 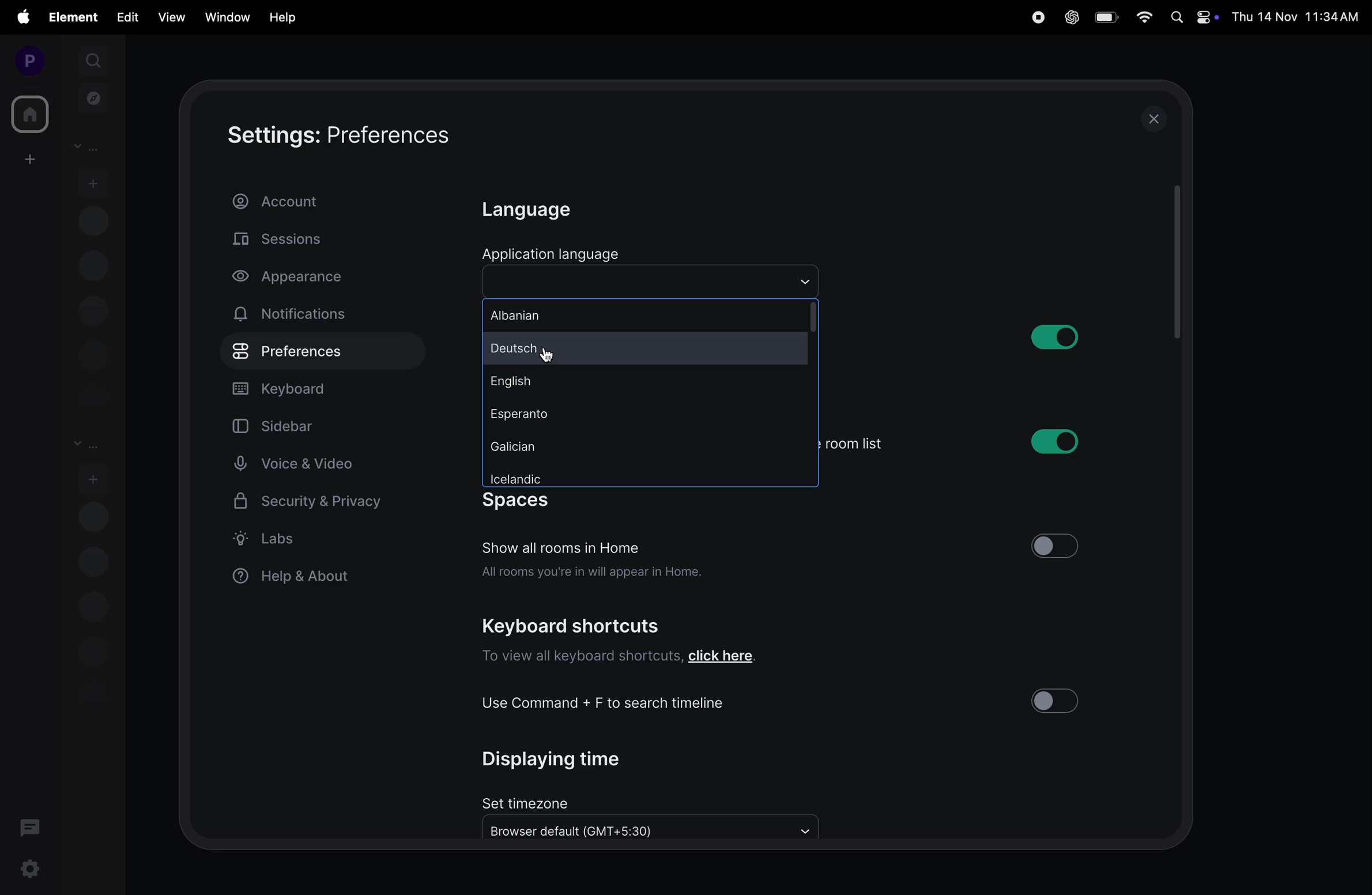 I want to click on albaninan, so click(x=649, y=317).